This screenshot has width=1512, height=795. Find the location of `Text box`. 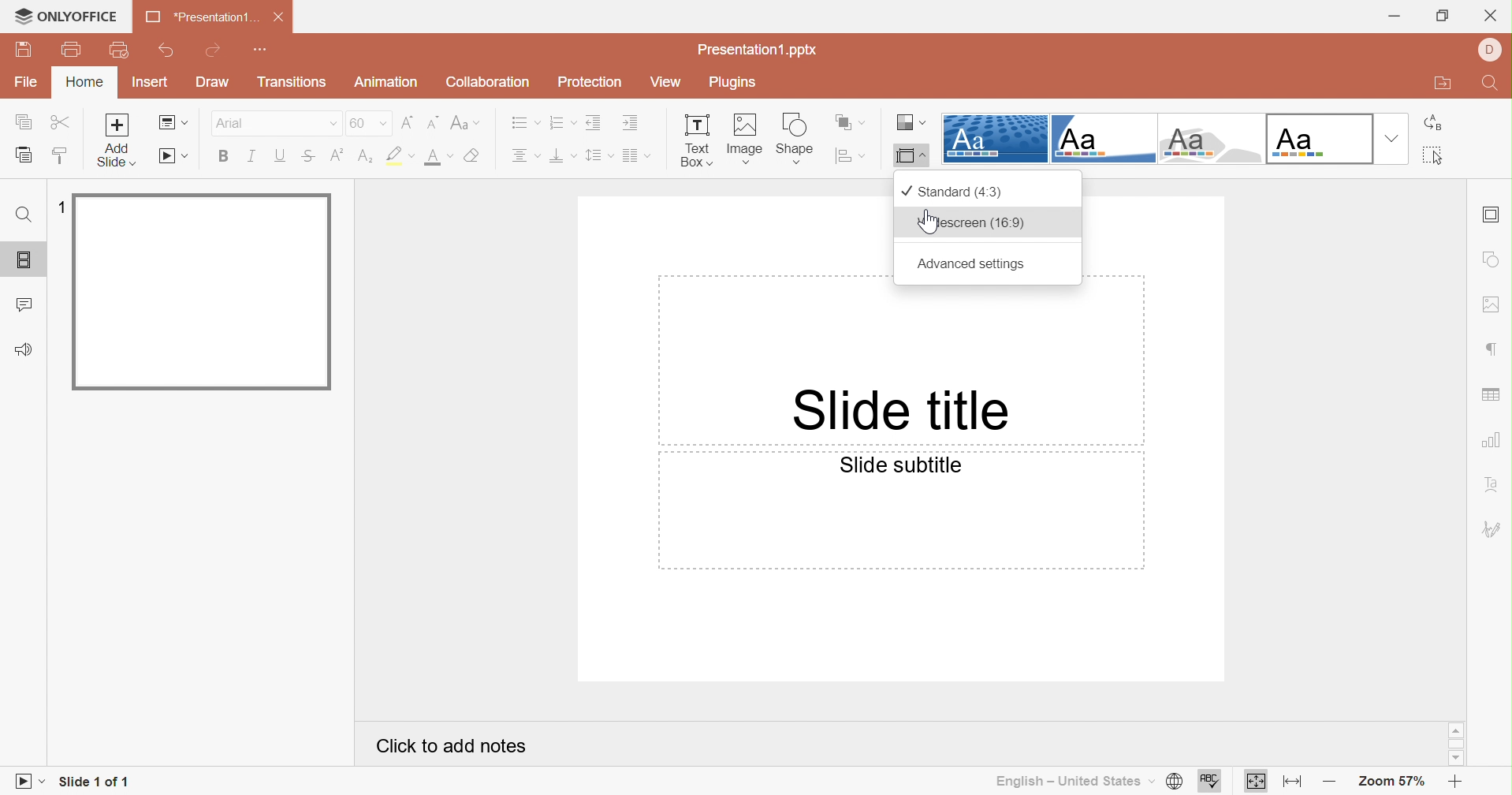

Text box is located at coordinates (694, 141).